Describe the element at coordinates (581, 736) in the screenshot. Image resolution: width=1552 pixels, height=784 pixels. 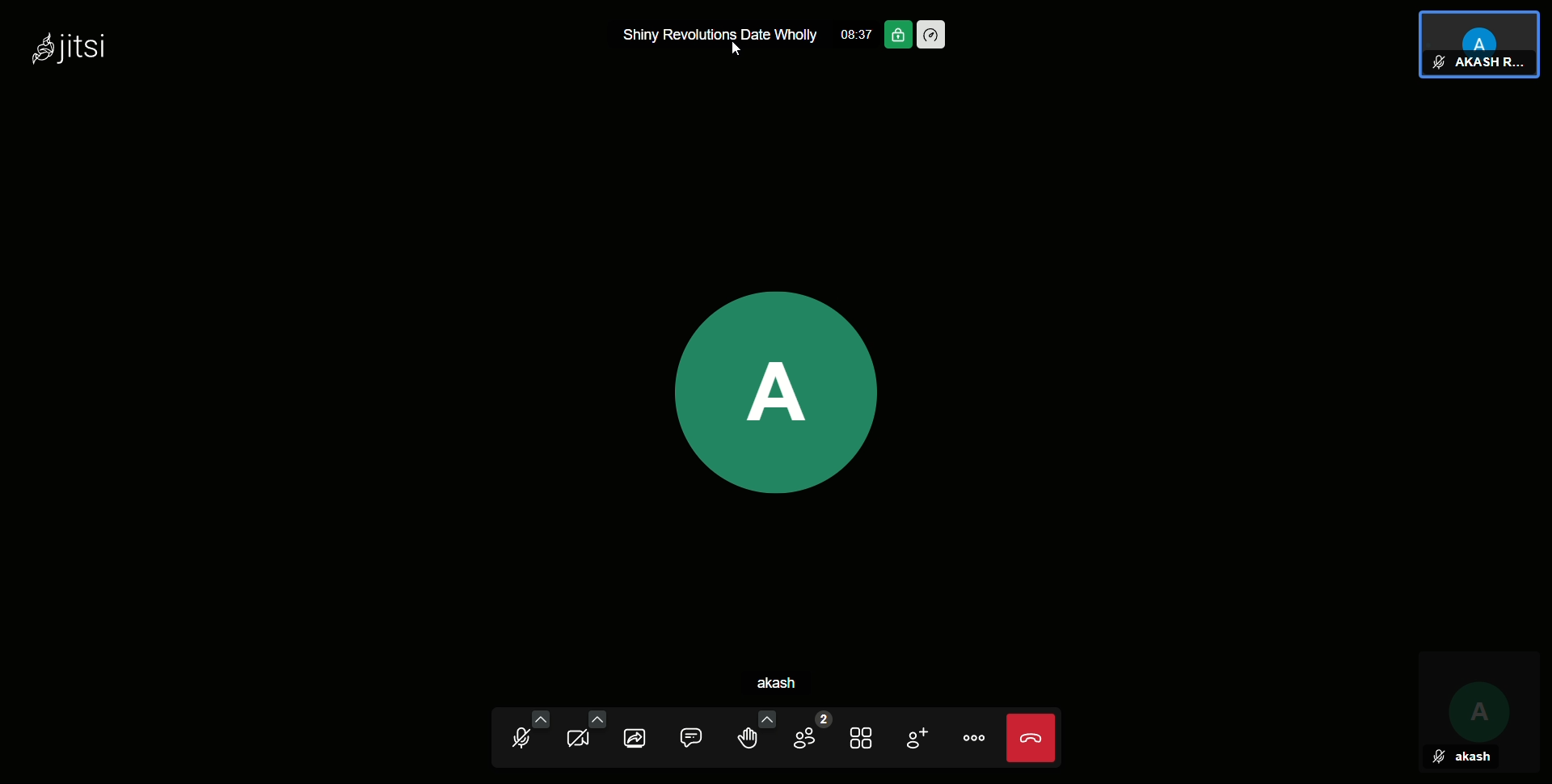
I see `camera off` at that location.